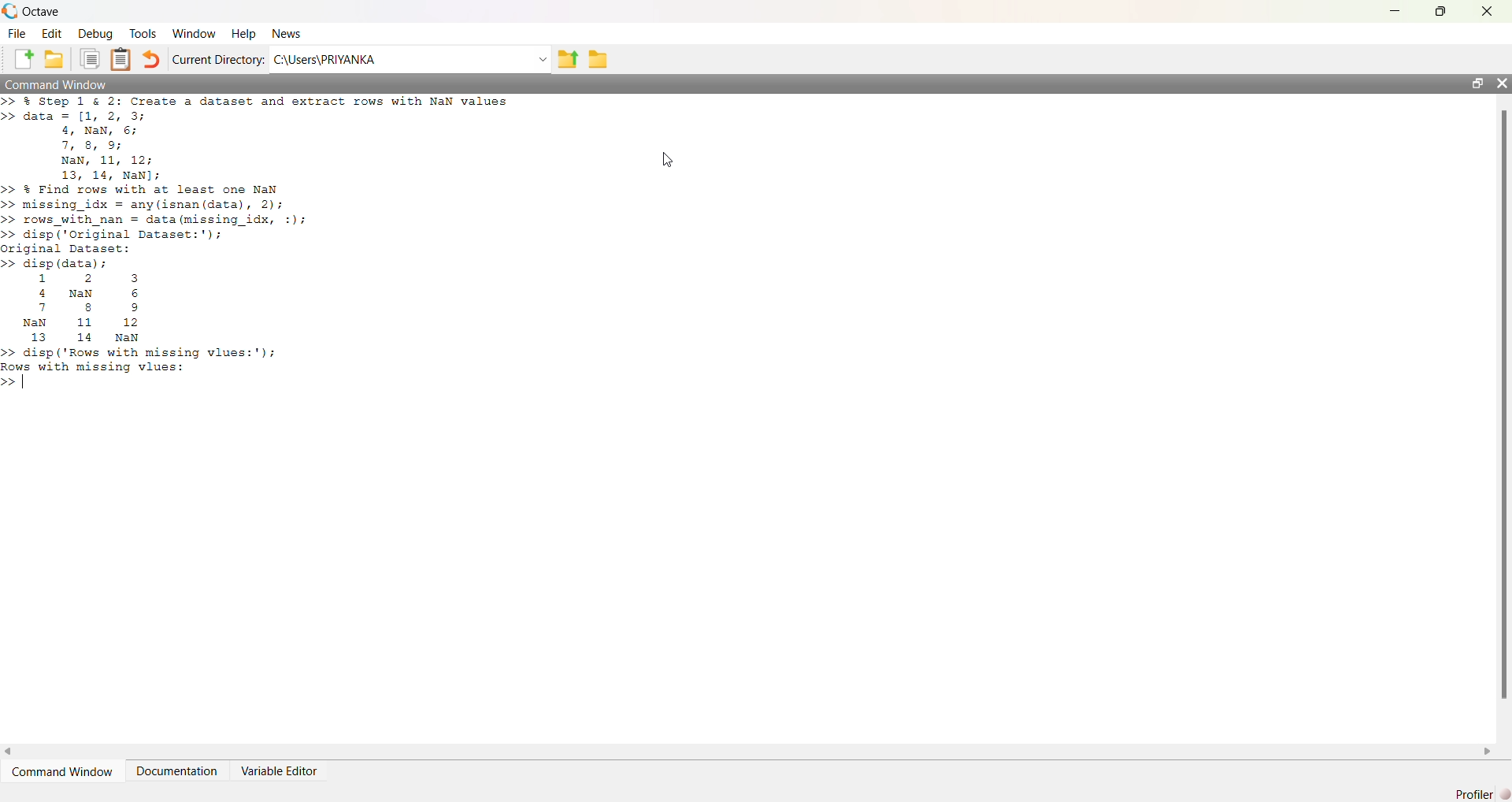  What do you see at coordinates (259, 174) in the screenshot?
I see `>> % Step 1 & 2: Create a dataset and extract rows with NaN values>> data = [1, 2, 3;4, NaN, 6;7, 8, 9;NaN, 11, 12;13, 14, NaN];>> & Find rows with at least one NaN>> missing_idx = any(isnan (data), 2);>> rows_with_nan = data (missing_idx, :);>> disp ('Original Dataset:');original Dataset:` at bounding box center [259, 174].